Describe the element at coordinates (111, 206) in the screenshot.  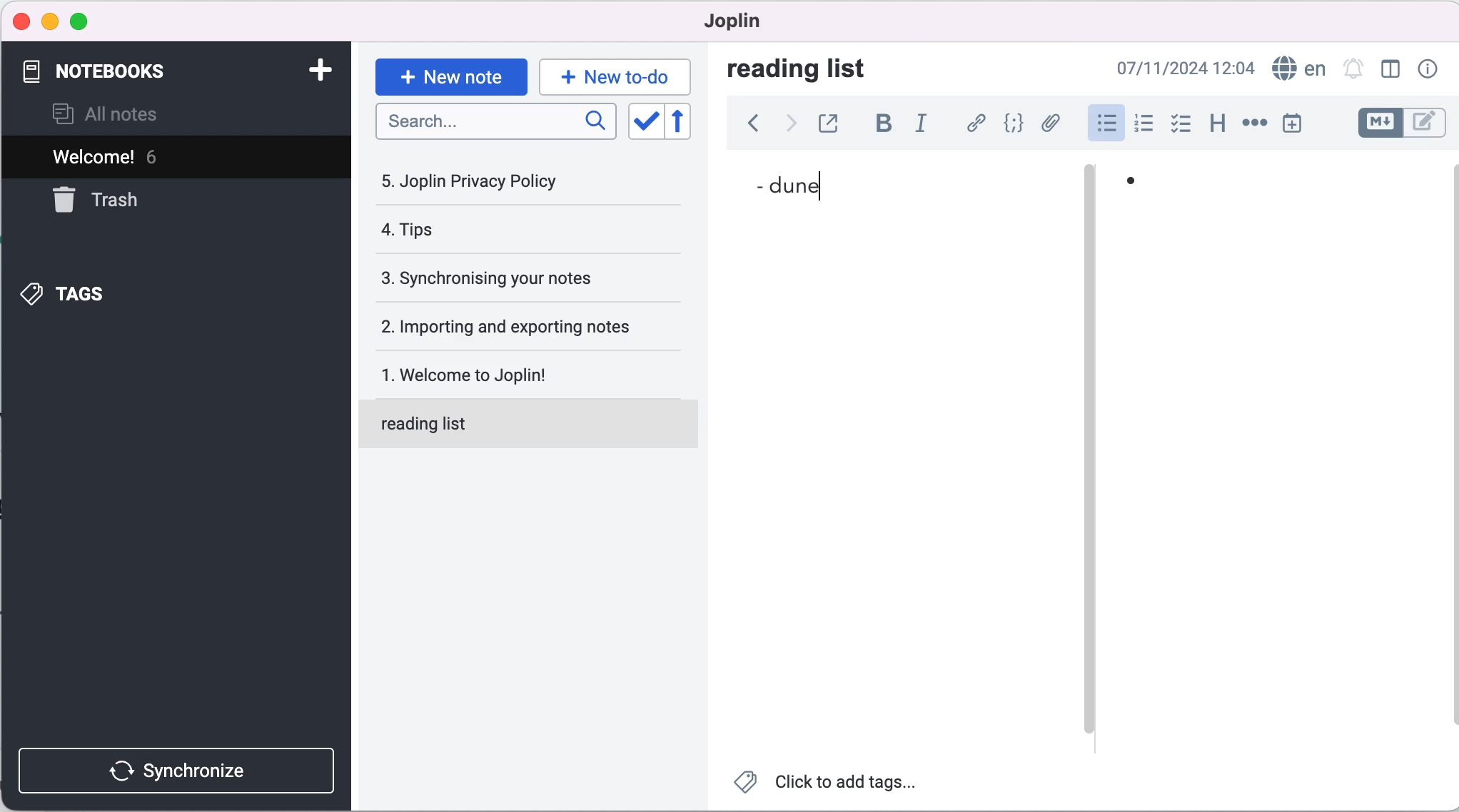
I see `trash` at that location.